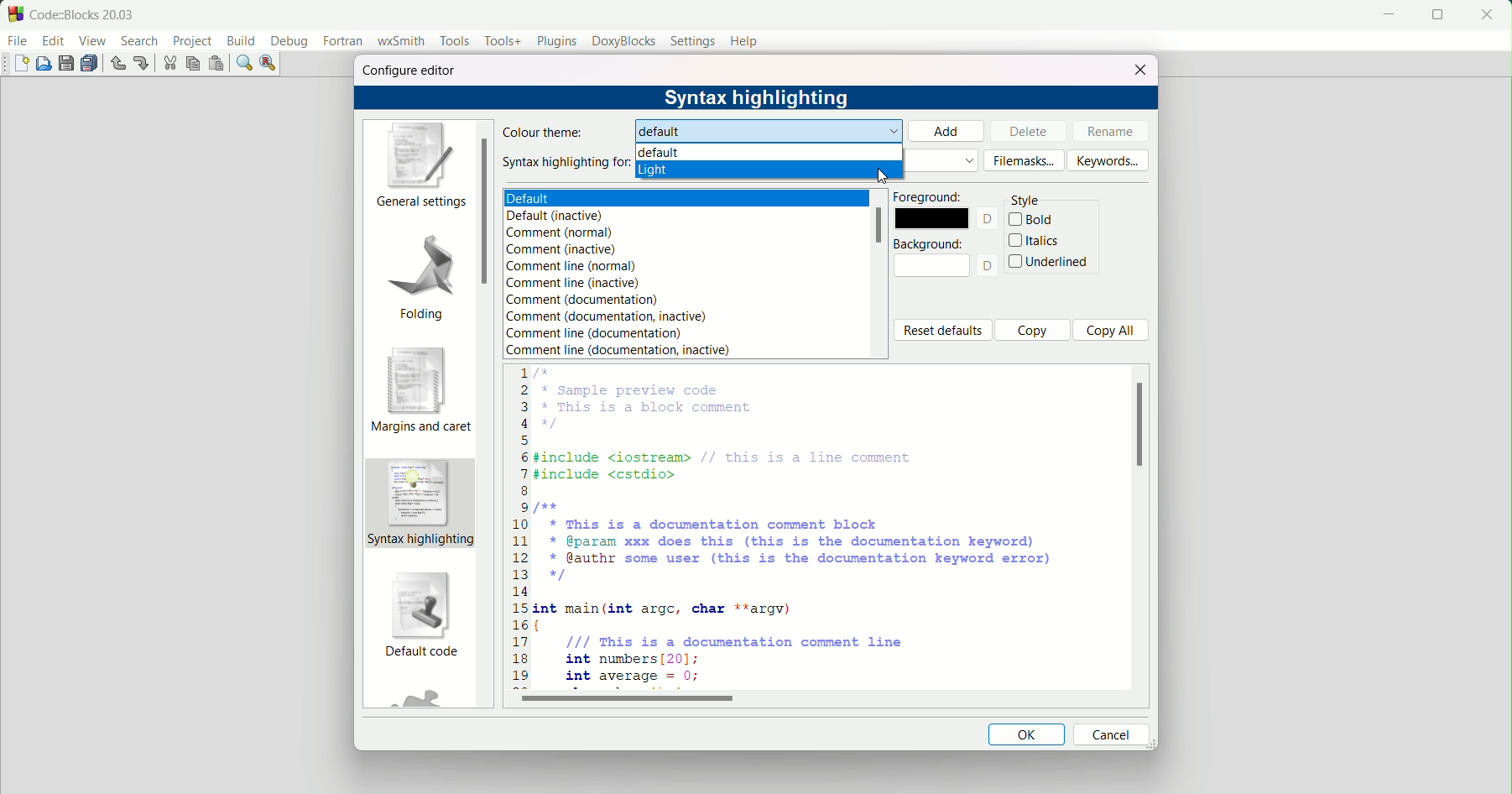 The height and width of the screenshot is (794, 1512). I want to click on syntax highlighting, so click(420, 503).